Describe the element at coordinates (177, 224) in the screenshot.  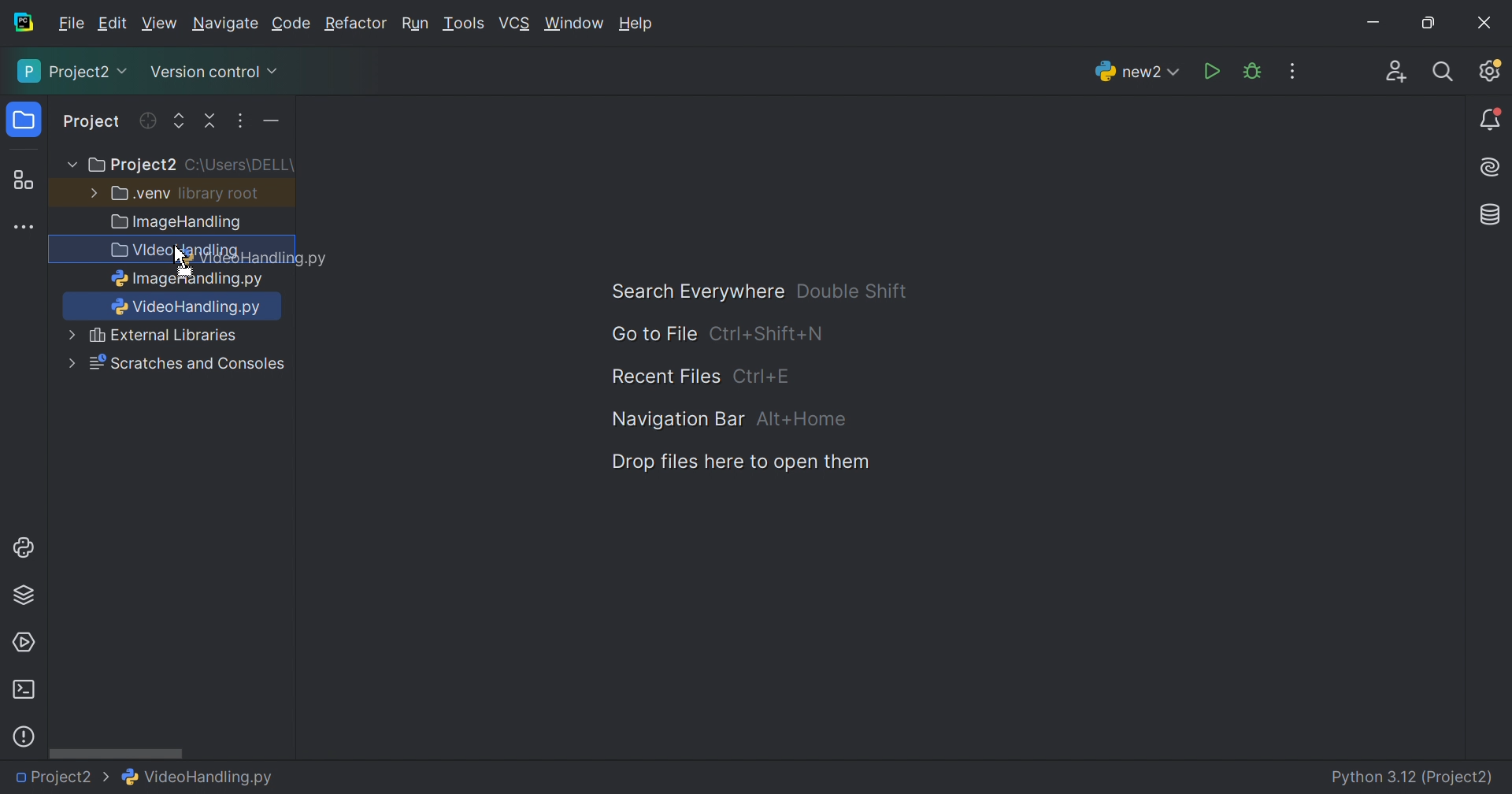
I see `Image Handling` at that location.